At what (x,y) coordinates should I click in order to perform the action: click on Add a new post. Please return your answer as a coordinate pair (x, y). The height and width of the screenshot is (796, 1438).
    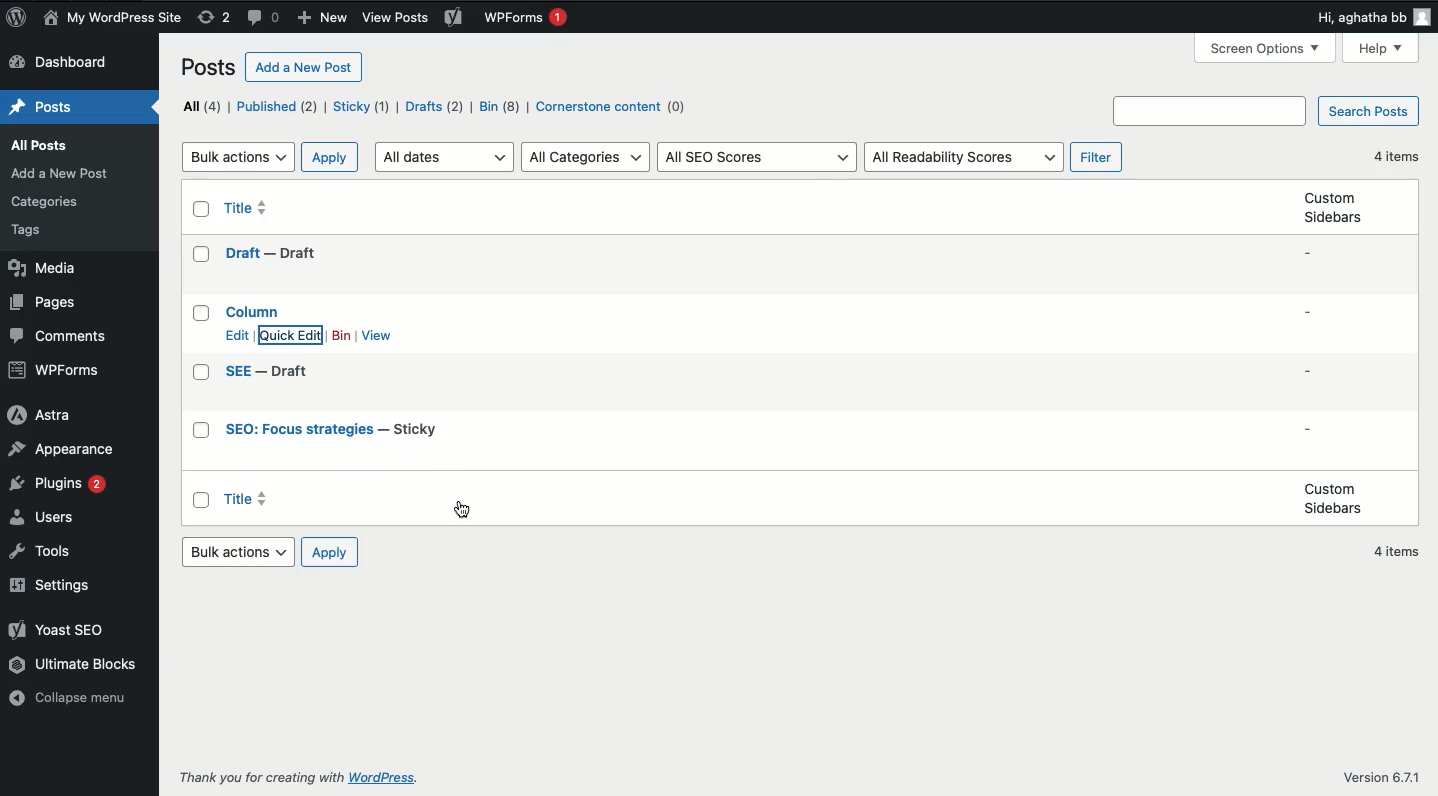
    Looking at the image, I should click on (304, 67).